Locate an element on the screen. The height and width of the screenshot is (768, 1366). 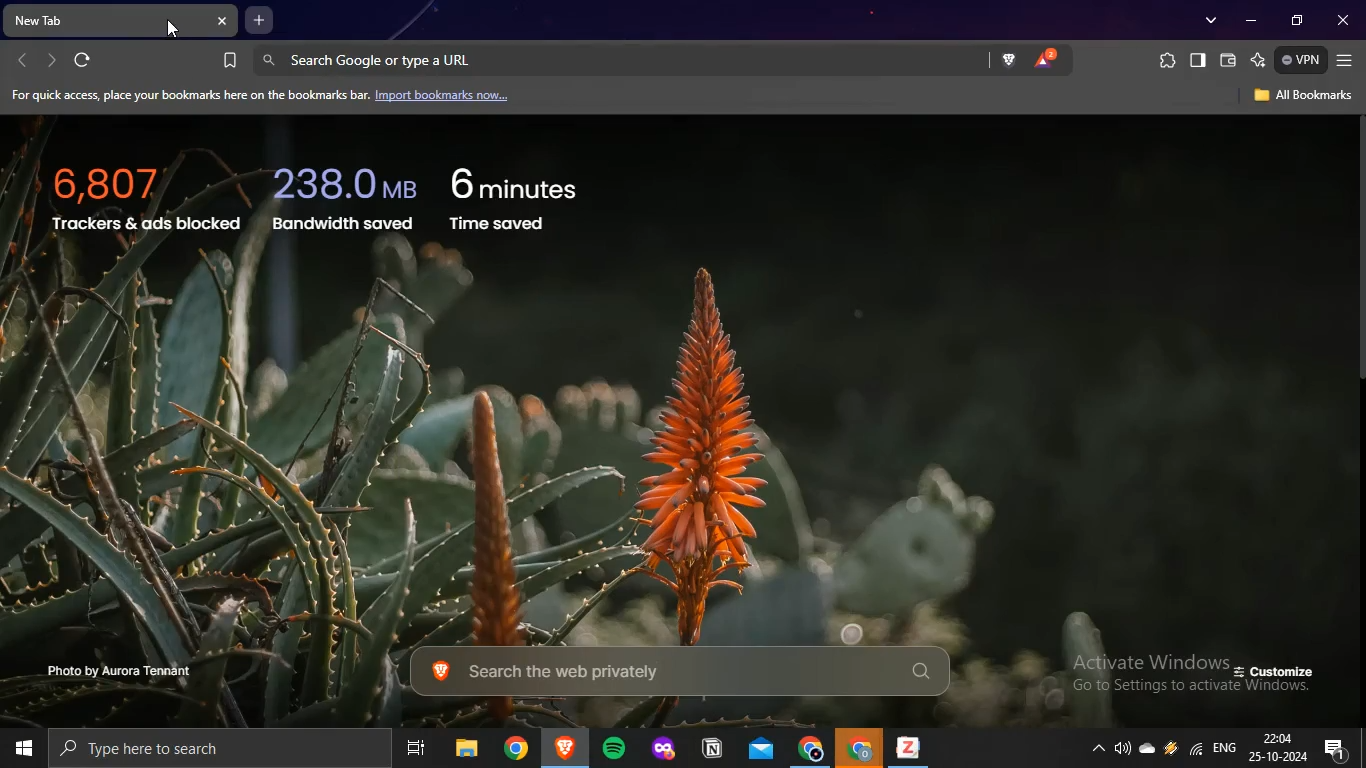
type here to search is located at coordinates (196, 749).